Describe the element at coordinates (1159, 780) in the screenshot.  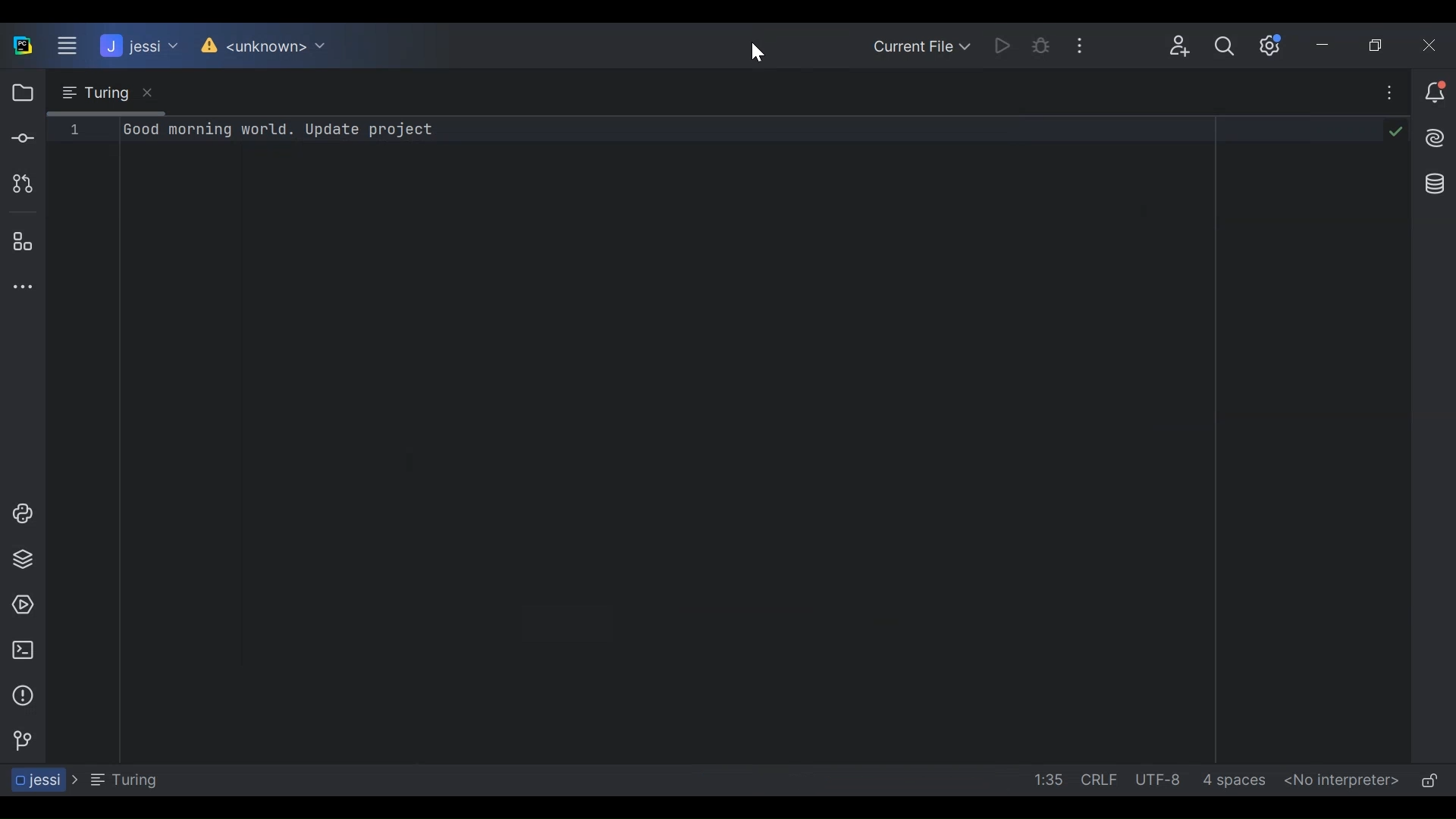
I see `UTF-8` at that location.